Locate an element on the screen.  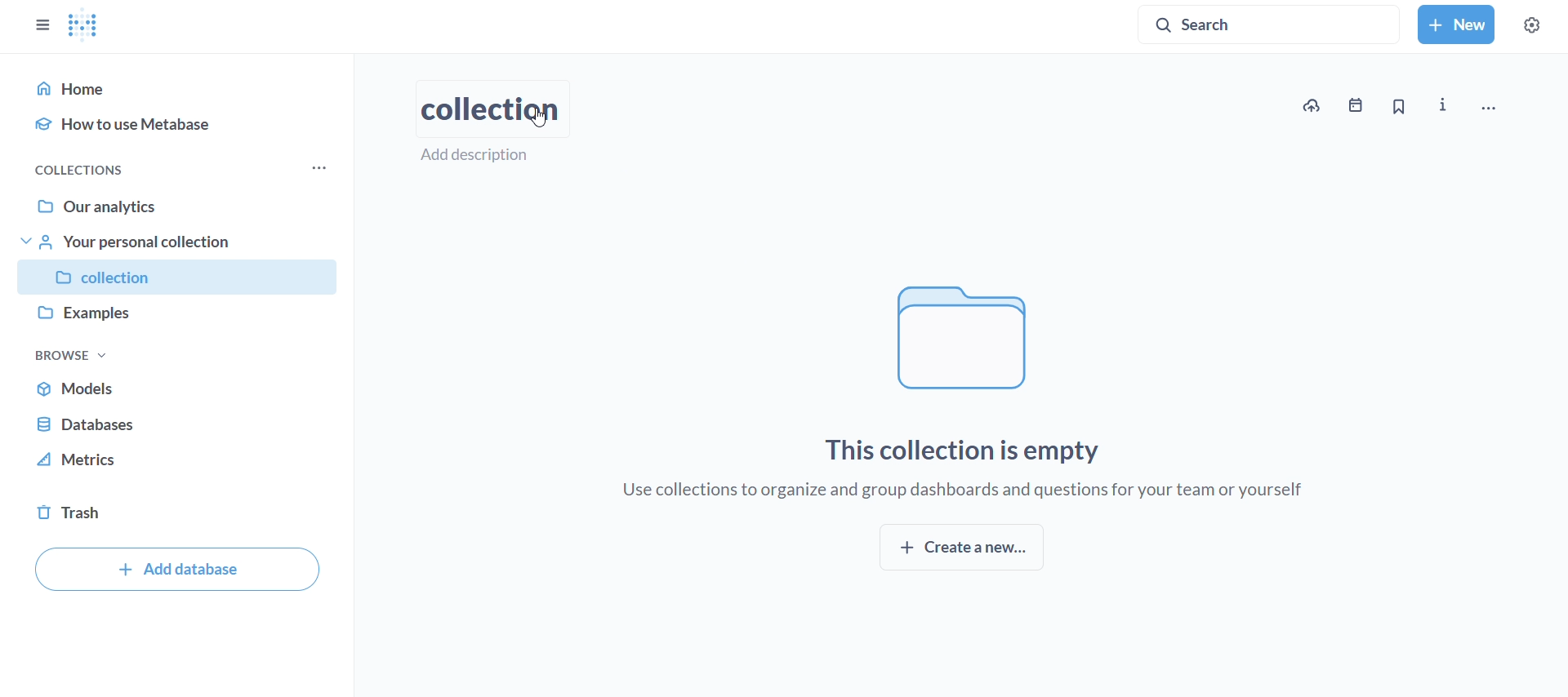
collections is located at coordinates (78, 171).